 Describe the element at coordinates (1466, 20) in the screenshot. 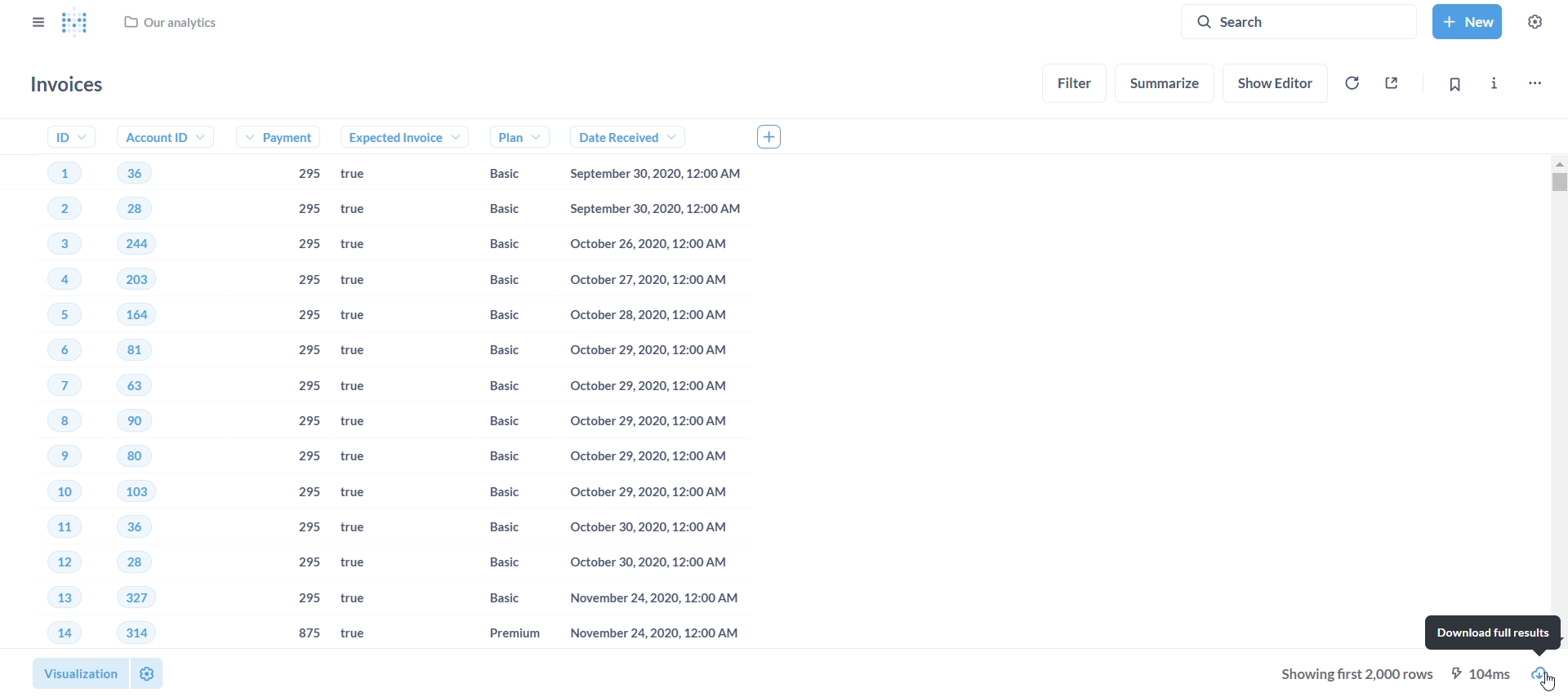

I see `new` at that location.